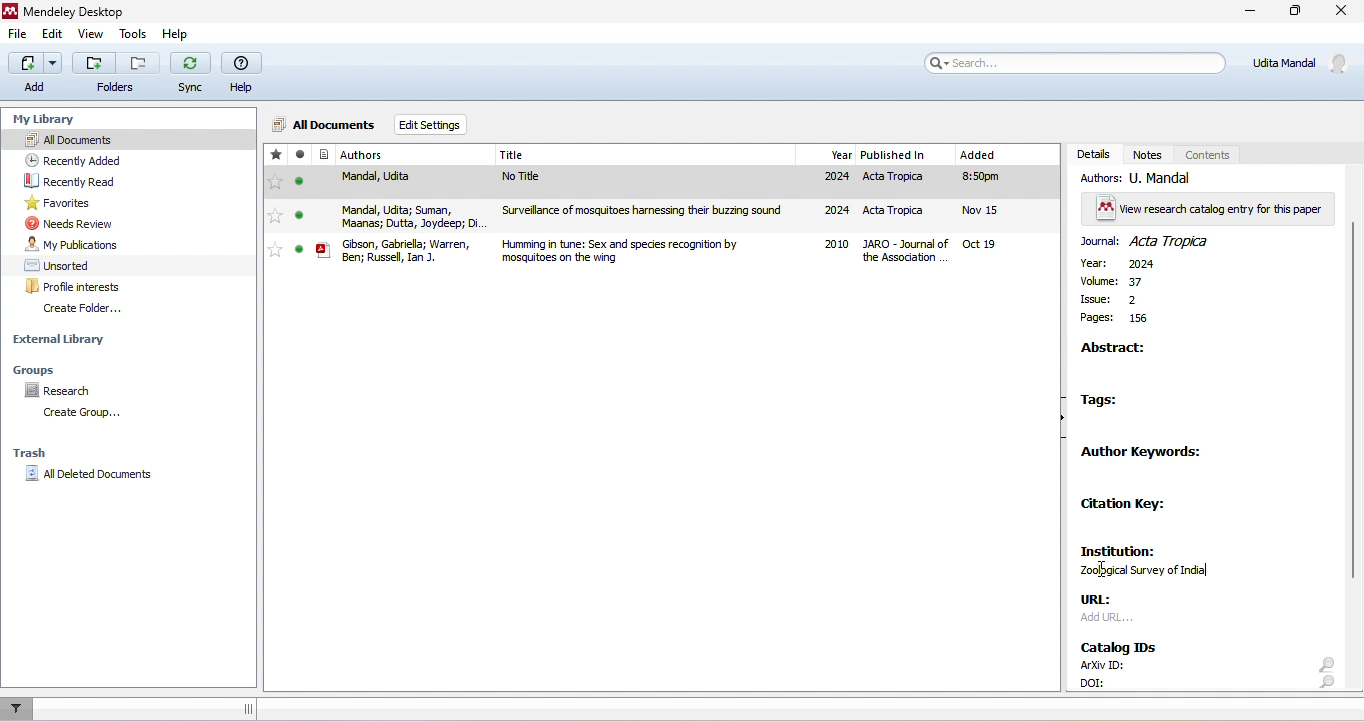 The width and height of the screenshot is (1364, 722). Describe the element at coordinates (82, 287) in the screenshot. I see `profile interests` at that location.